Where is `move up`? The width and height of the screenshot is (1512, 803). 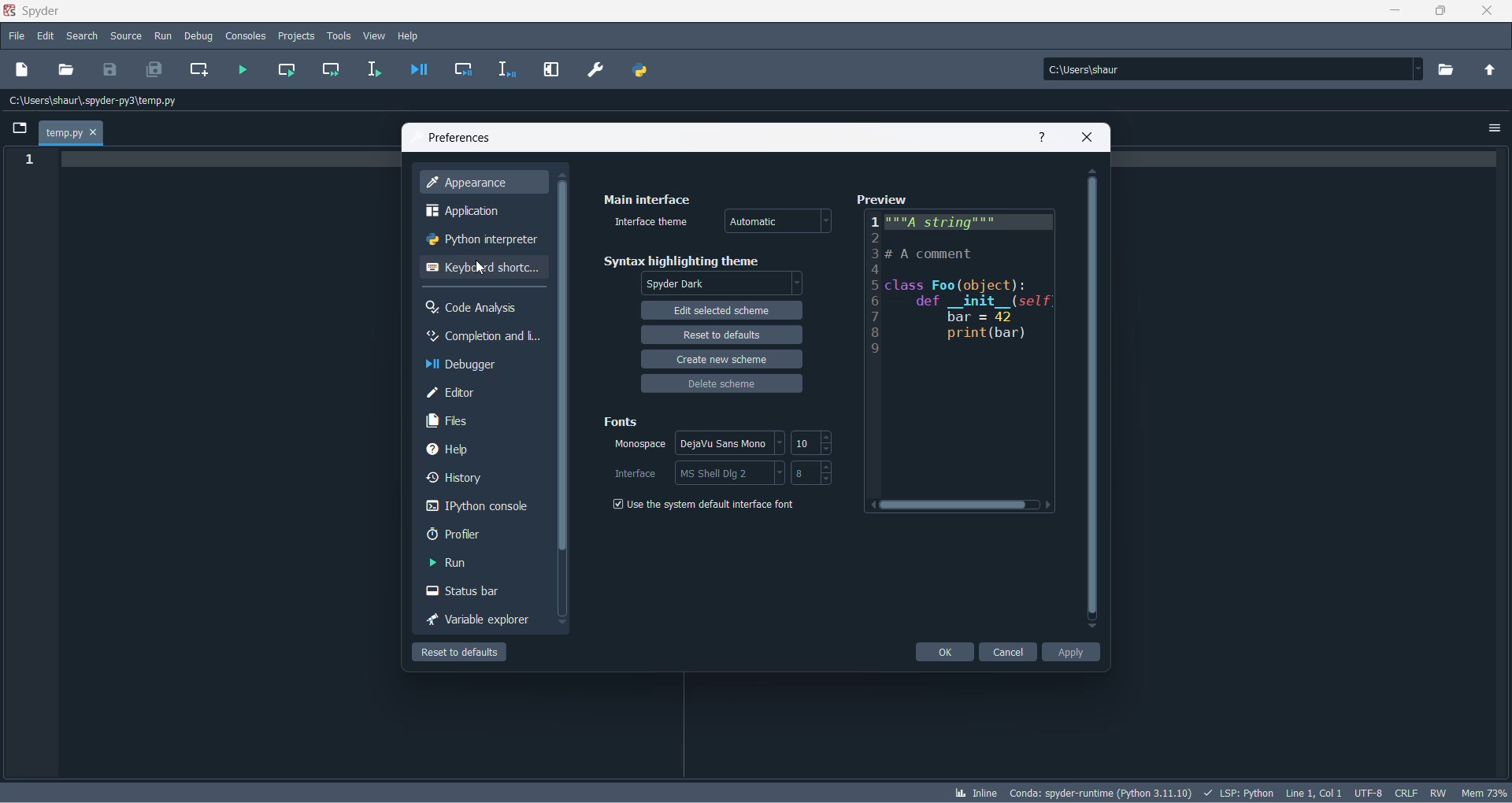 move up is located at coordinates (561, 176).